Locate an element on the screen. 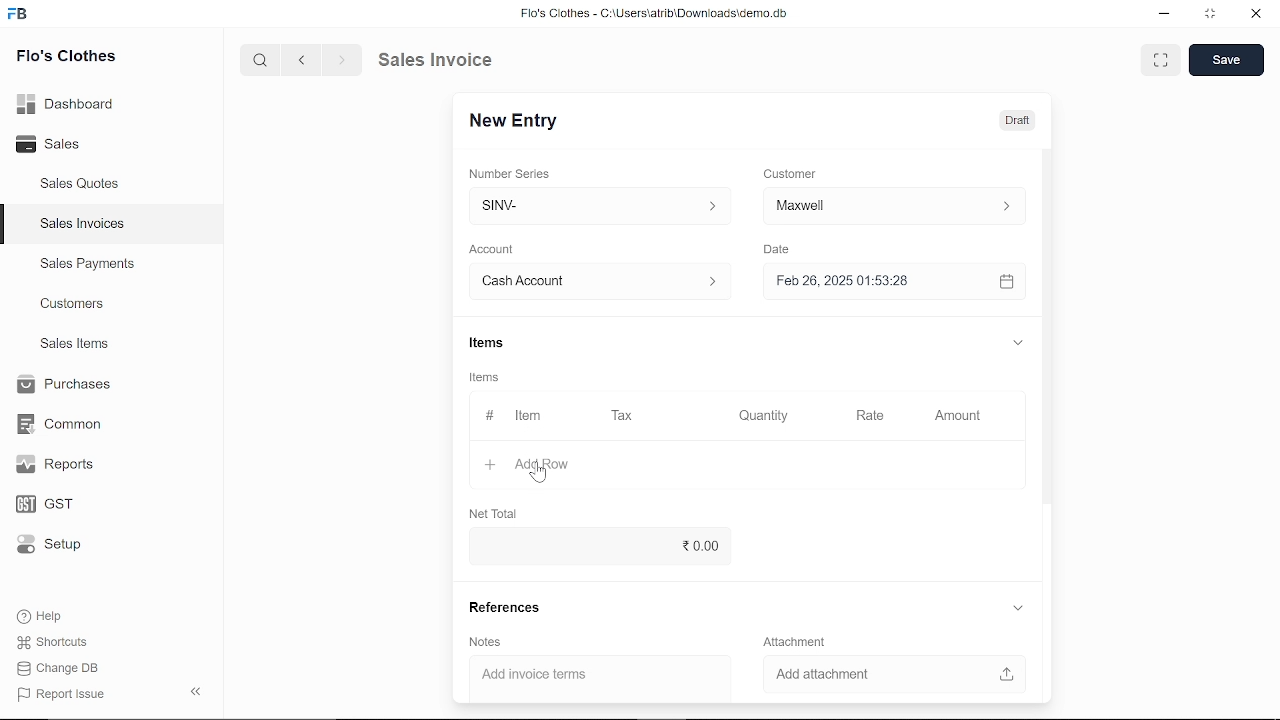 The width and height of the screenshot is (1280, 720). GST is located at coordinates (62, 505).